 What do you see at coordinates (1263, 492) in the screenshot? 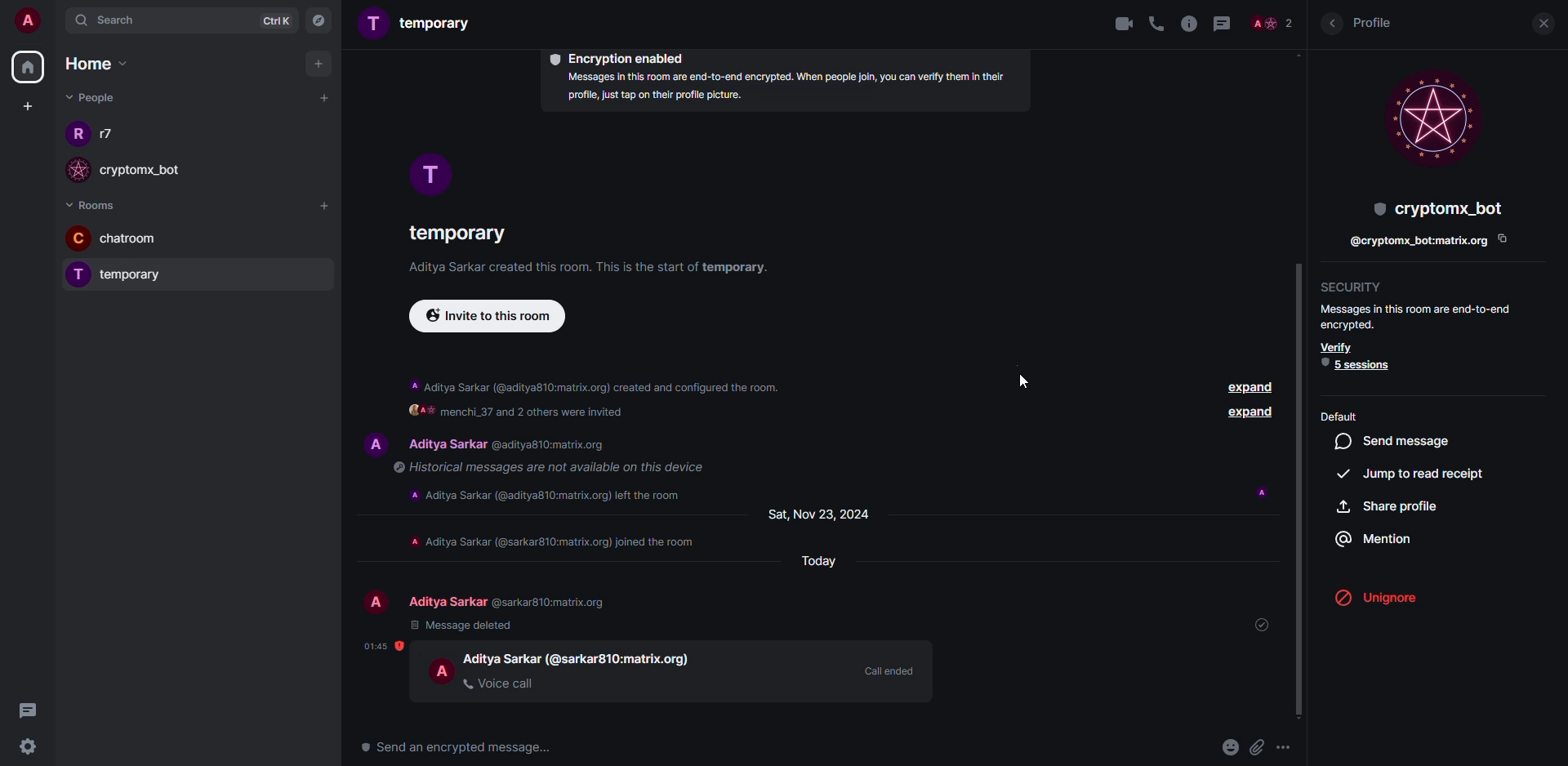
I see `seen` at bounding box center [1263, 492].